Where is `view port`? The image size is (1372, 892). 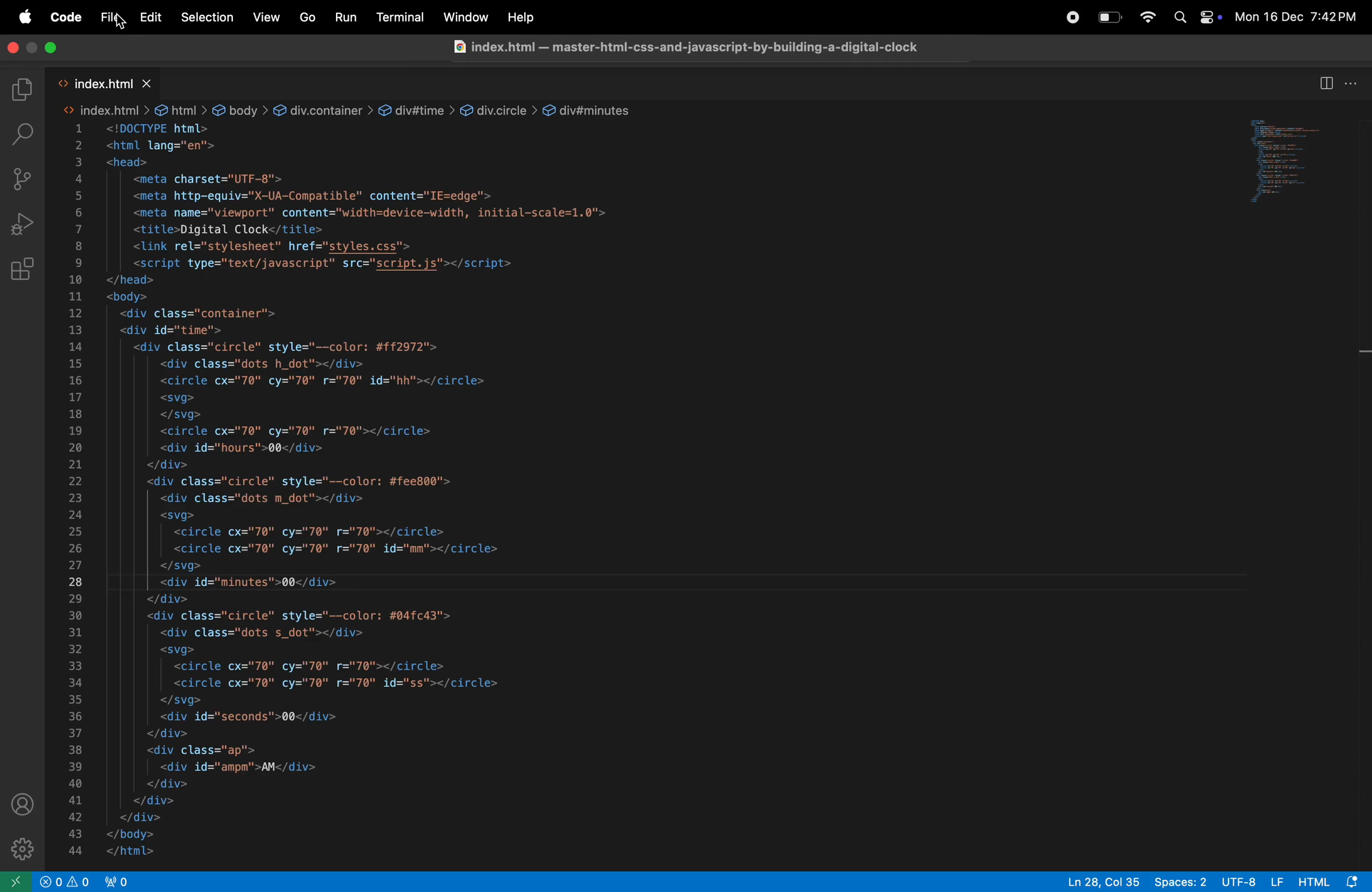 view port is located at coordinates (121, 881).